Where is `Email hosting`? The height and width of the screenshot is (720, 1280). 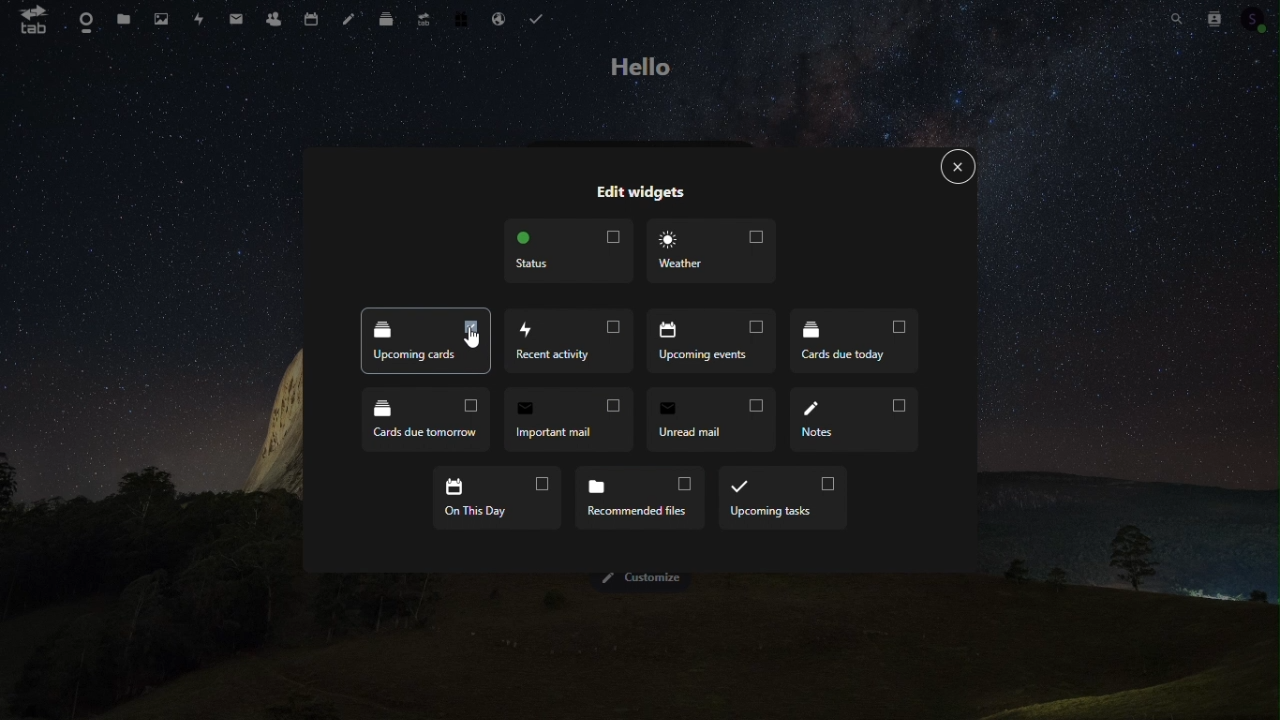 Email hosting is located at coordinates (497, 20).